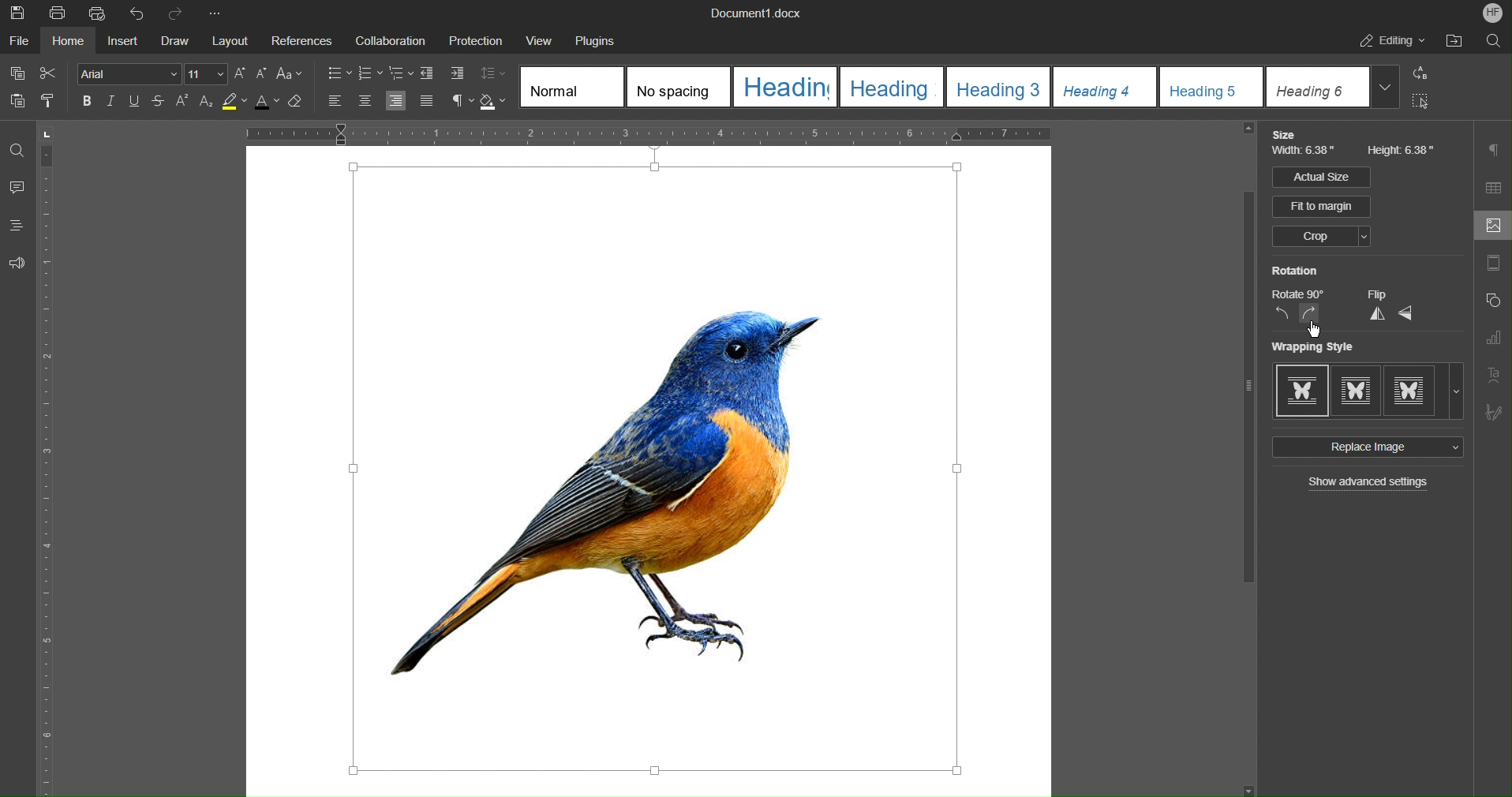 The height and width of the screenshot is (797, 1512). I want to click on Select All, so click(1417, 101).